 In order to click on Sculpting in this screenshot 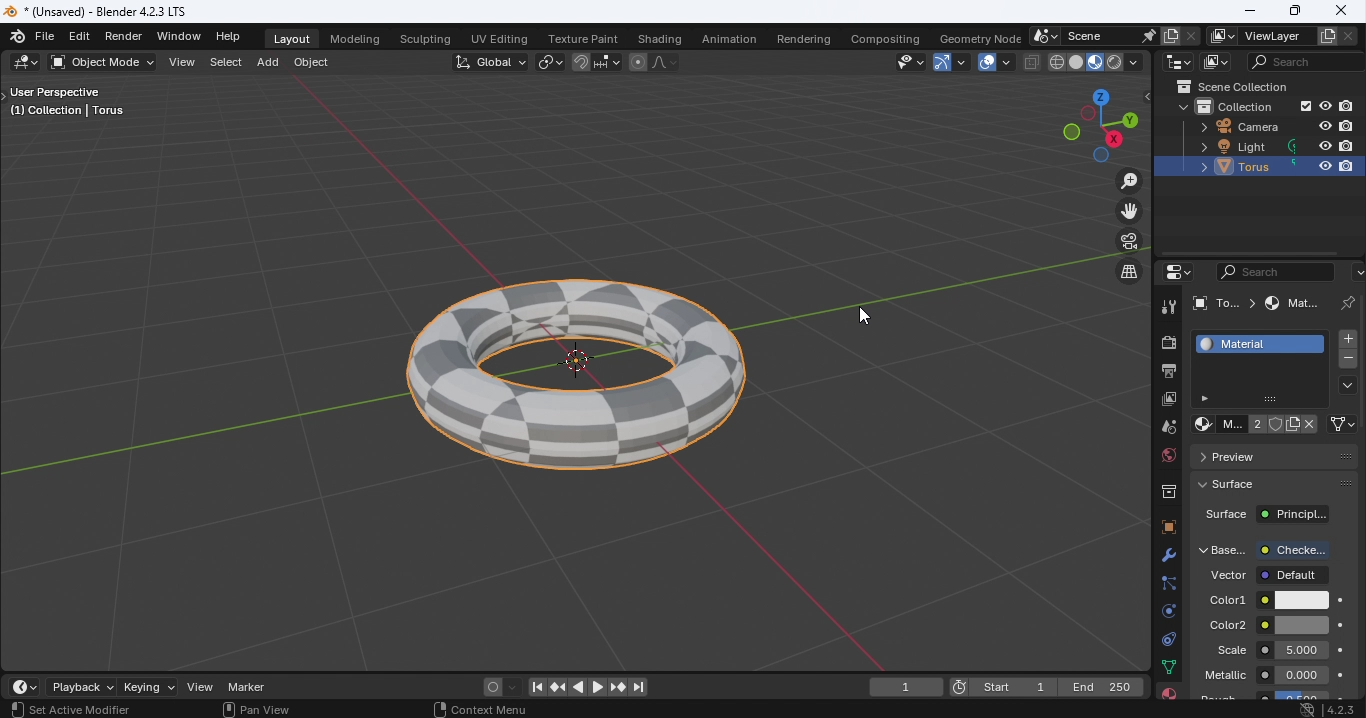, I will do `click(424, 39)`.